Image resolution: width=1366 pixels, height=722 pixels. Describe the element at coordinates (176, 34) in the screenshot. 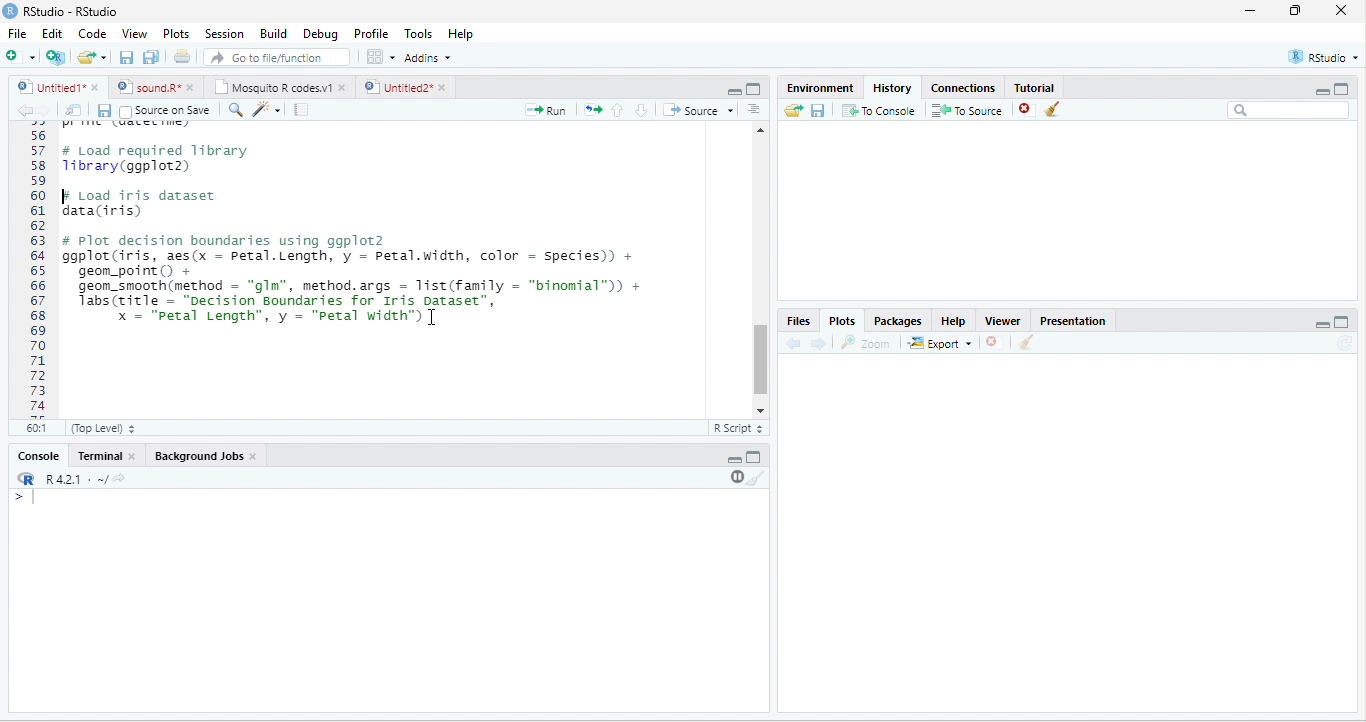

I see `Plots` at that location.